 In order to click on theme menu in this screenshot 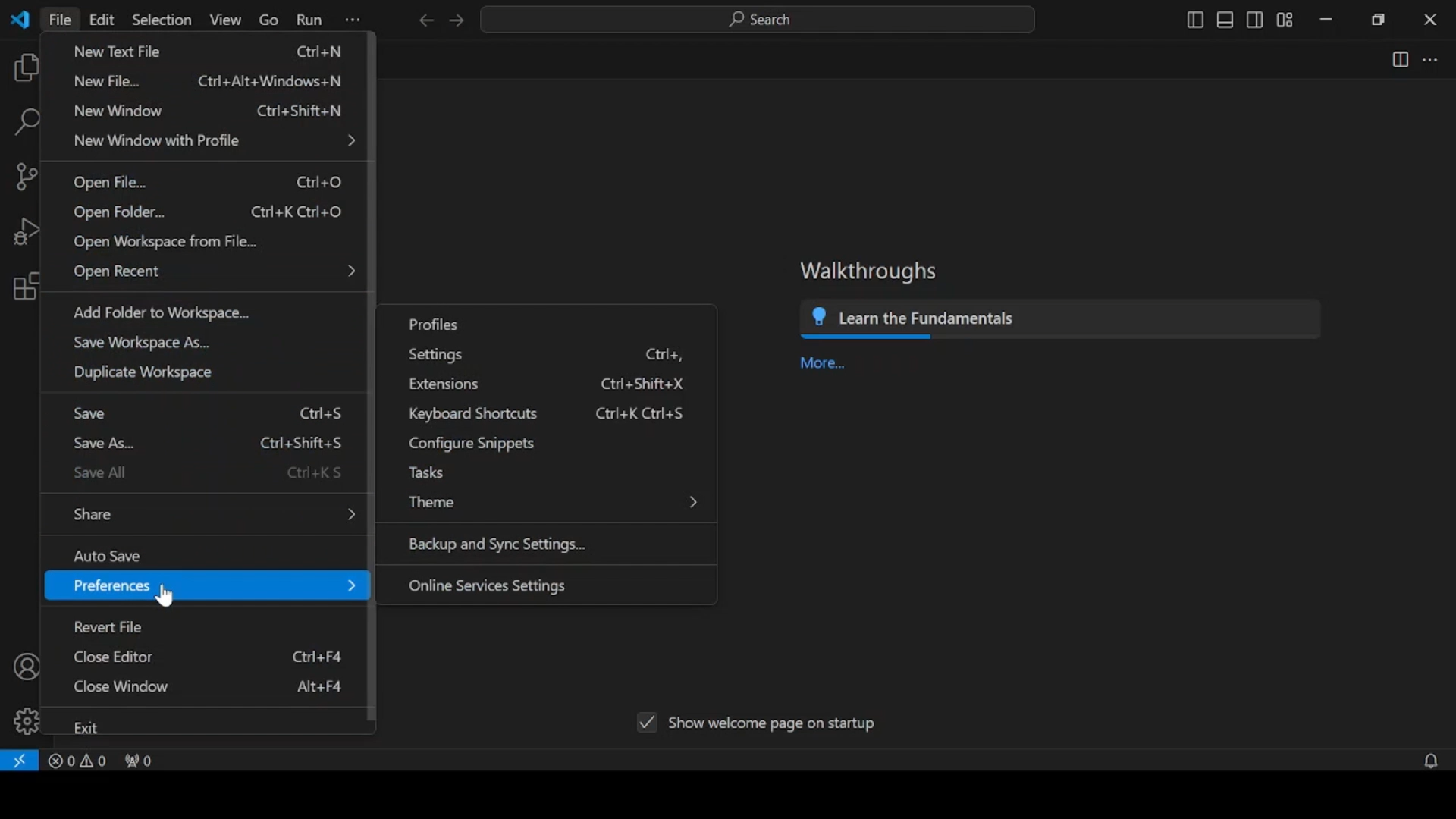, I will do `click(557, 502)`.